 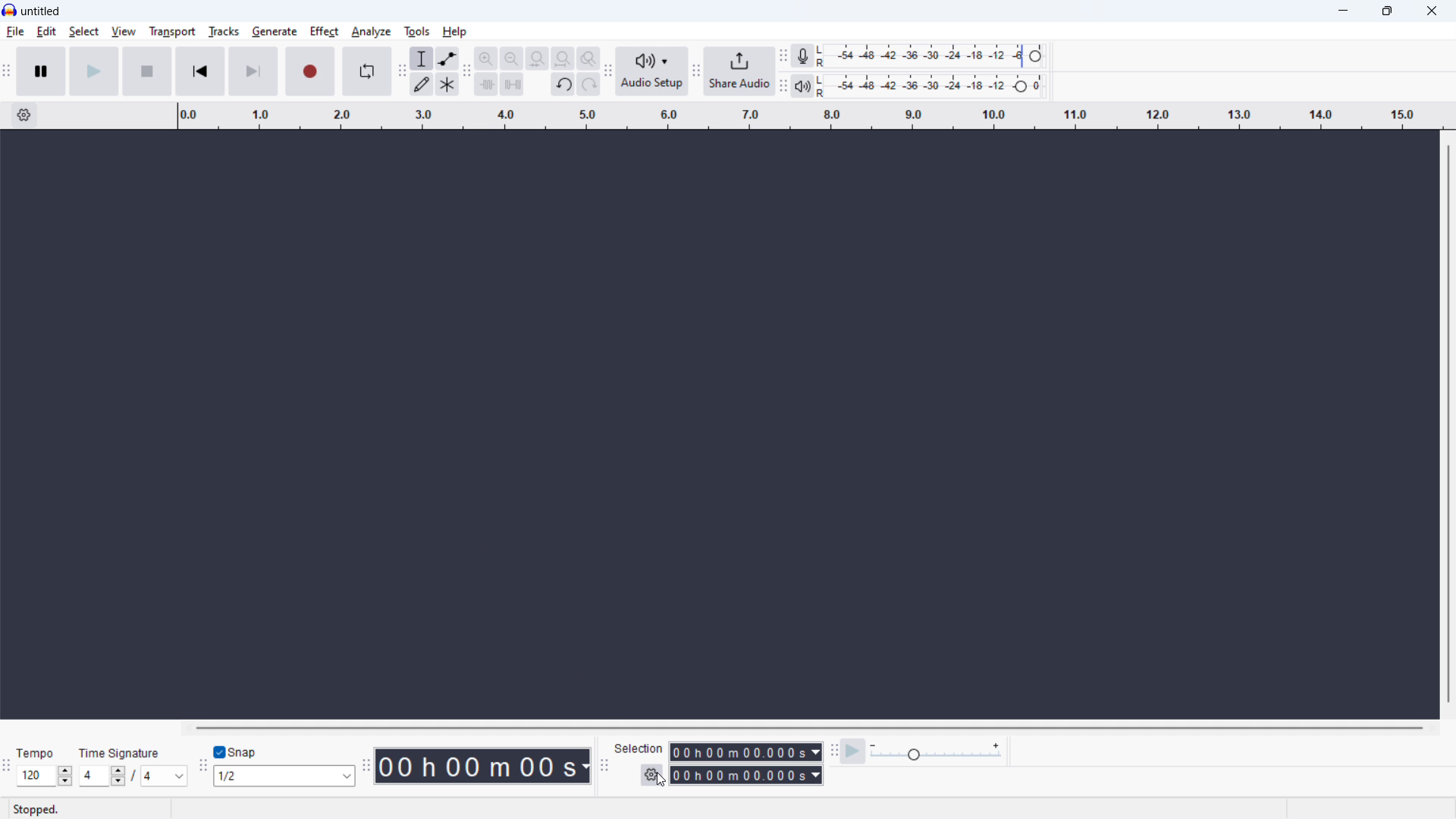 What do you see at coordinates (456, 32) in the screenshot?
I see `help` at bounding box center [456, 32].